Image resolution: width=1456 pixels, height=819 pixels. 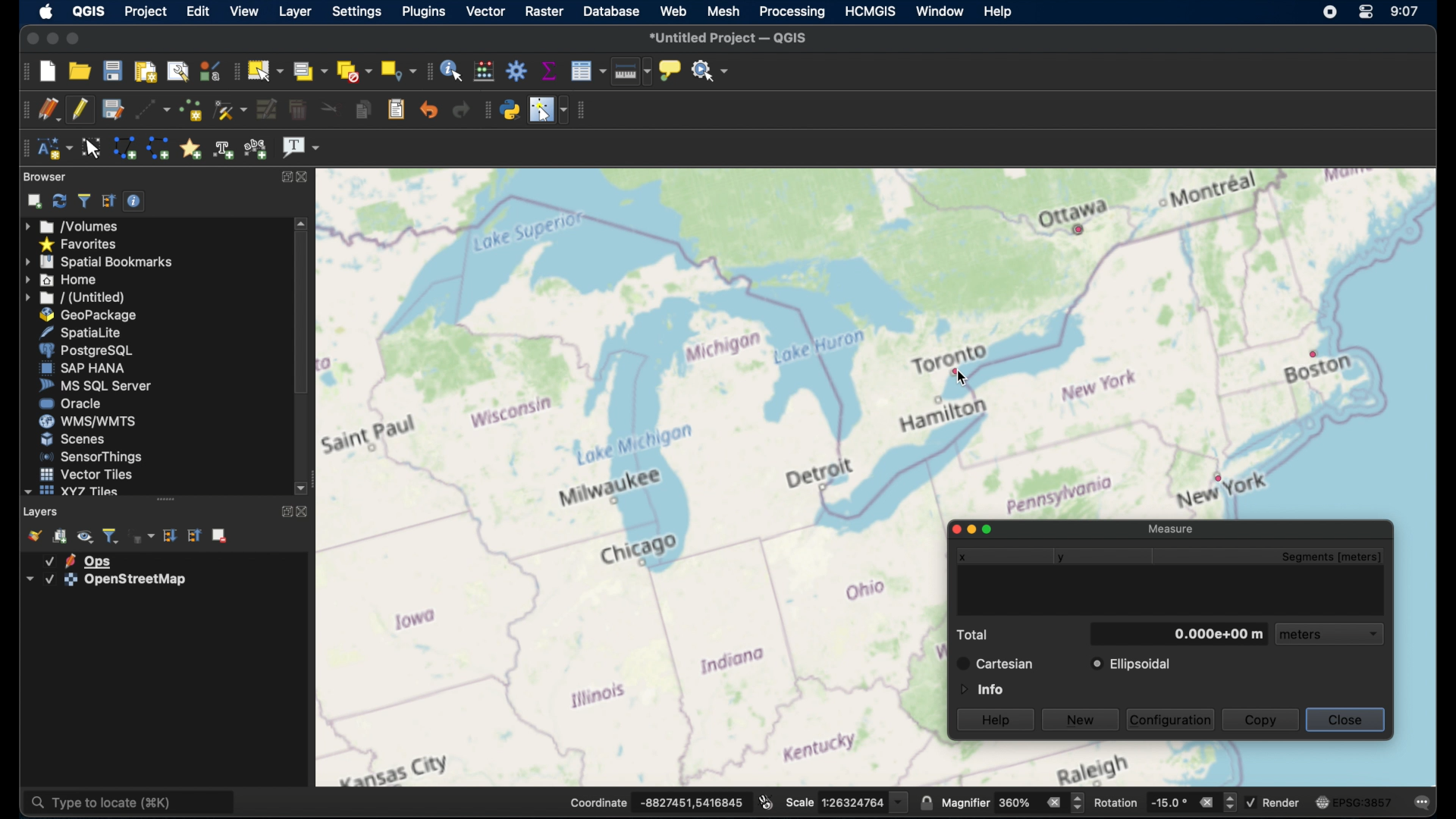 What do you see at coordinates (134, 200) in the screenshot?
I see `enable/disable properties widget` at bounding box center [134, 200].